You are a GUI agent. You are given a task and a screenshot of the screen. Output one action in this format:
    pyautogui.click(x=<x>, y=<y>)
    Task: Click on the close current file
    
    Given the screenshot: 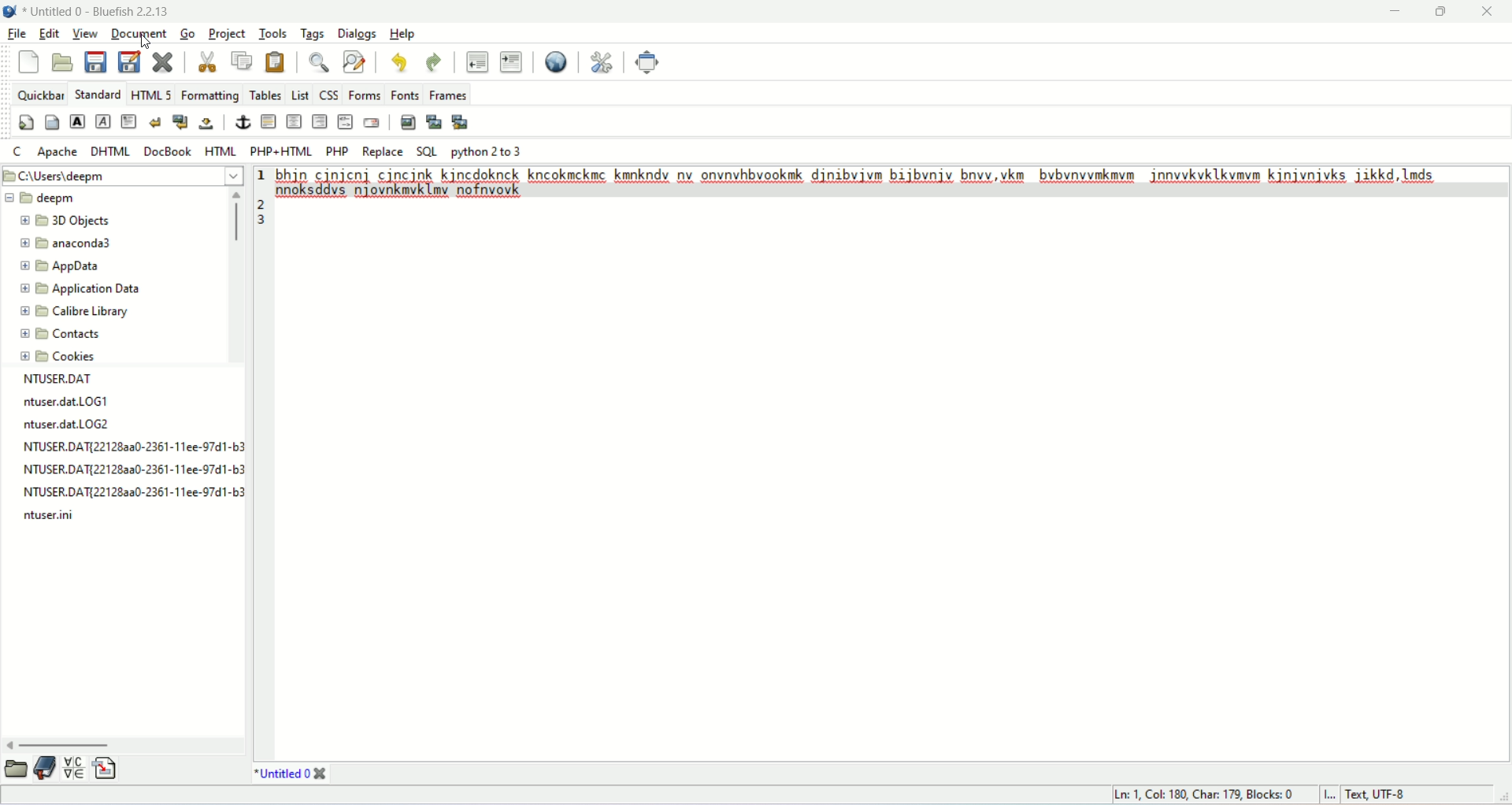 What is the action you would take?
    pyautogui.click(x=165, y=62)
    